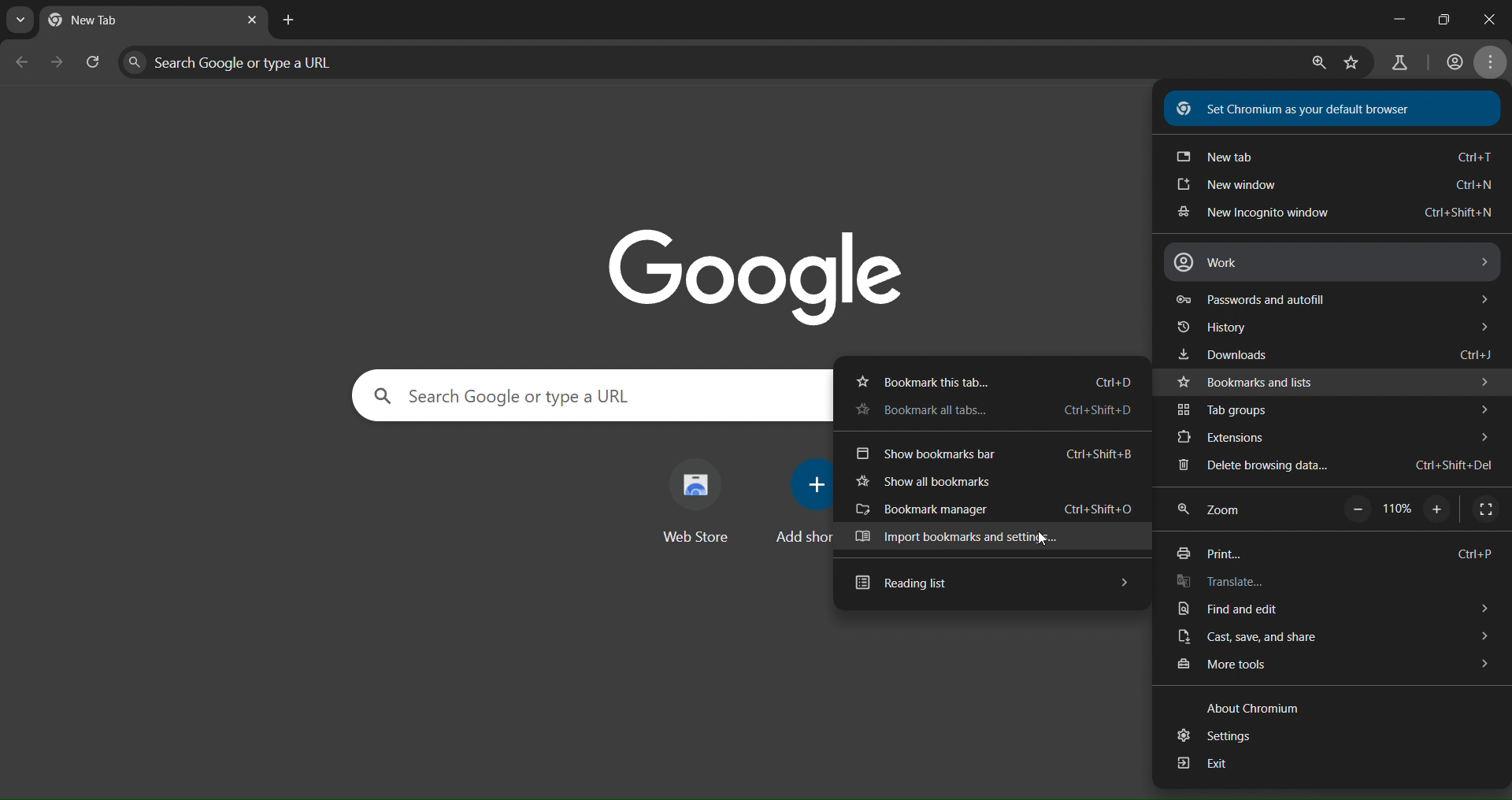 This screenshot has width=1512, height=800. What do you see at coordinates (984, 537) in the screenshot?
I see `import bookmarks and settings` at bounding box center [984, 537].